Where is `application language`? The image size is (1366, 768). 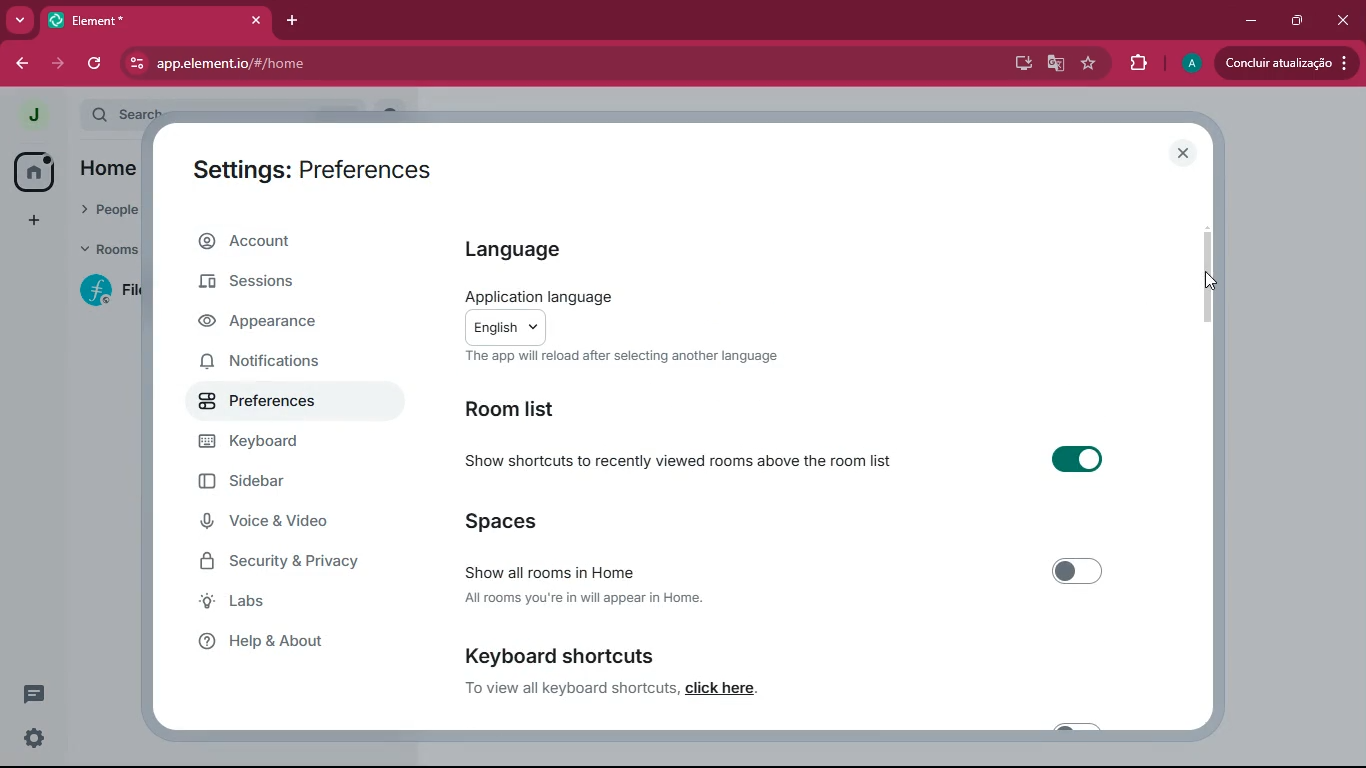
application language is located at coordinates (650, 296).